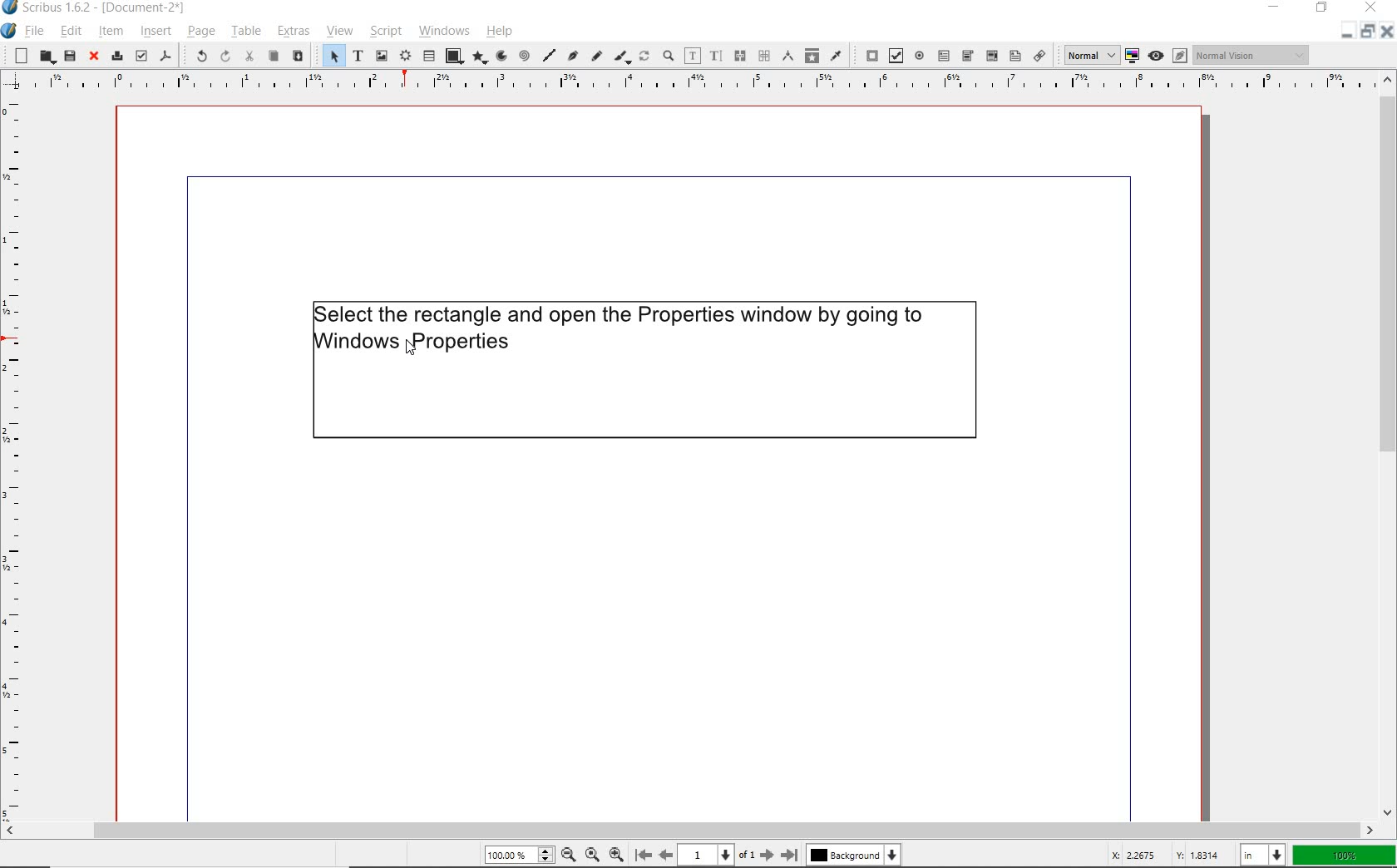 Image resolution: width=1397 pixels, height=868 pixels. I want to click on Background, so click(856, 853).